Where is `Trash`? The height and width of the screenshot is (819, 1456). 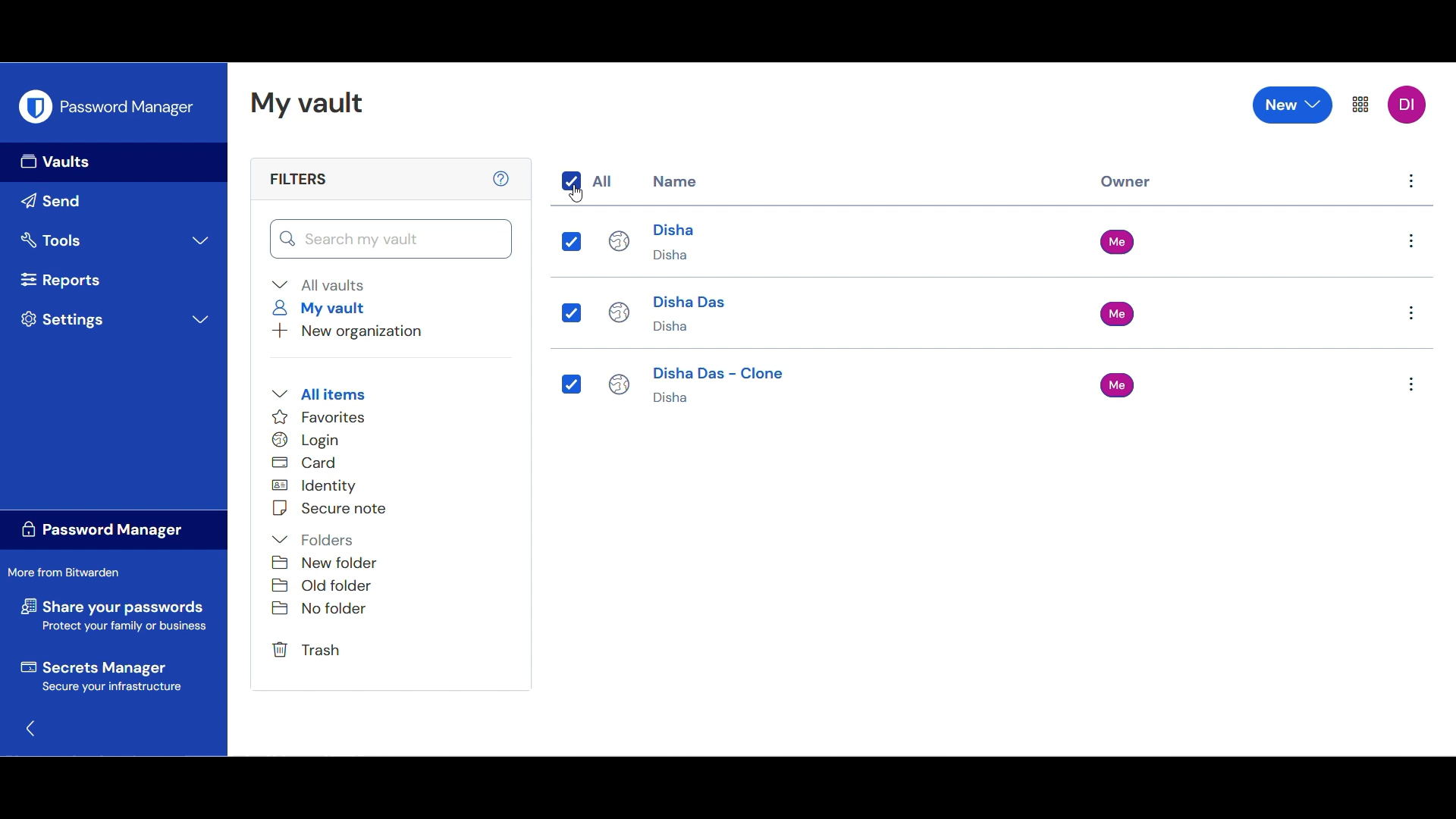
Trash is located at coordinates (309, 651).